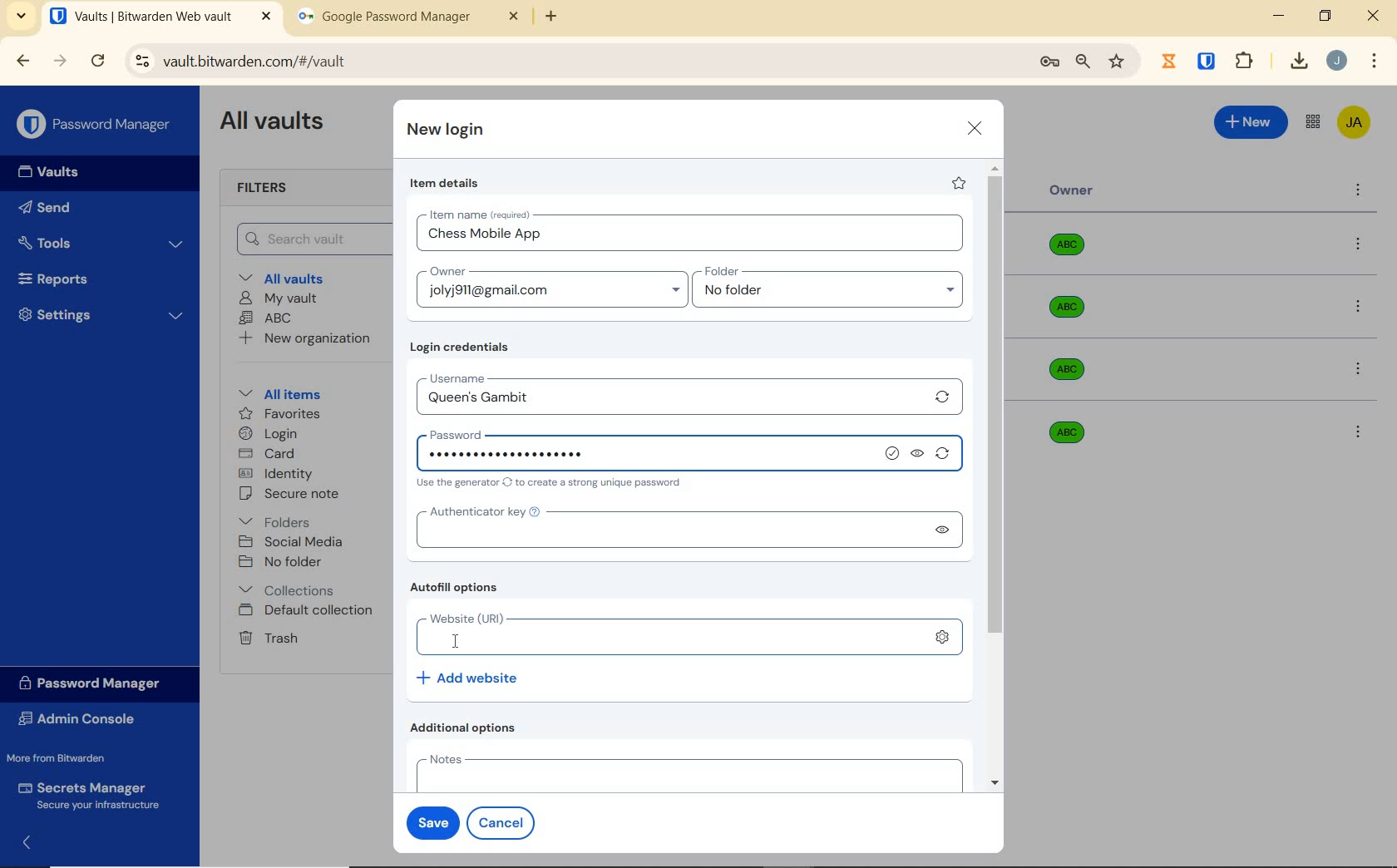  What do you see at coordinates (1251, 120) in the screenshot?
I see `New` at bounding box center [1251, 120].